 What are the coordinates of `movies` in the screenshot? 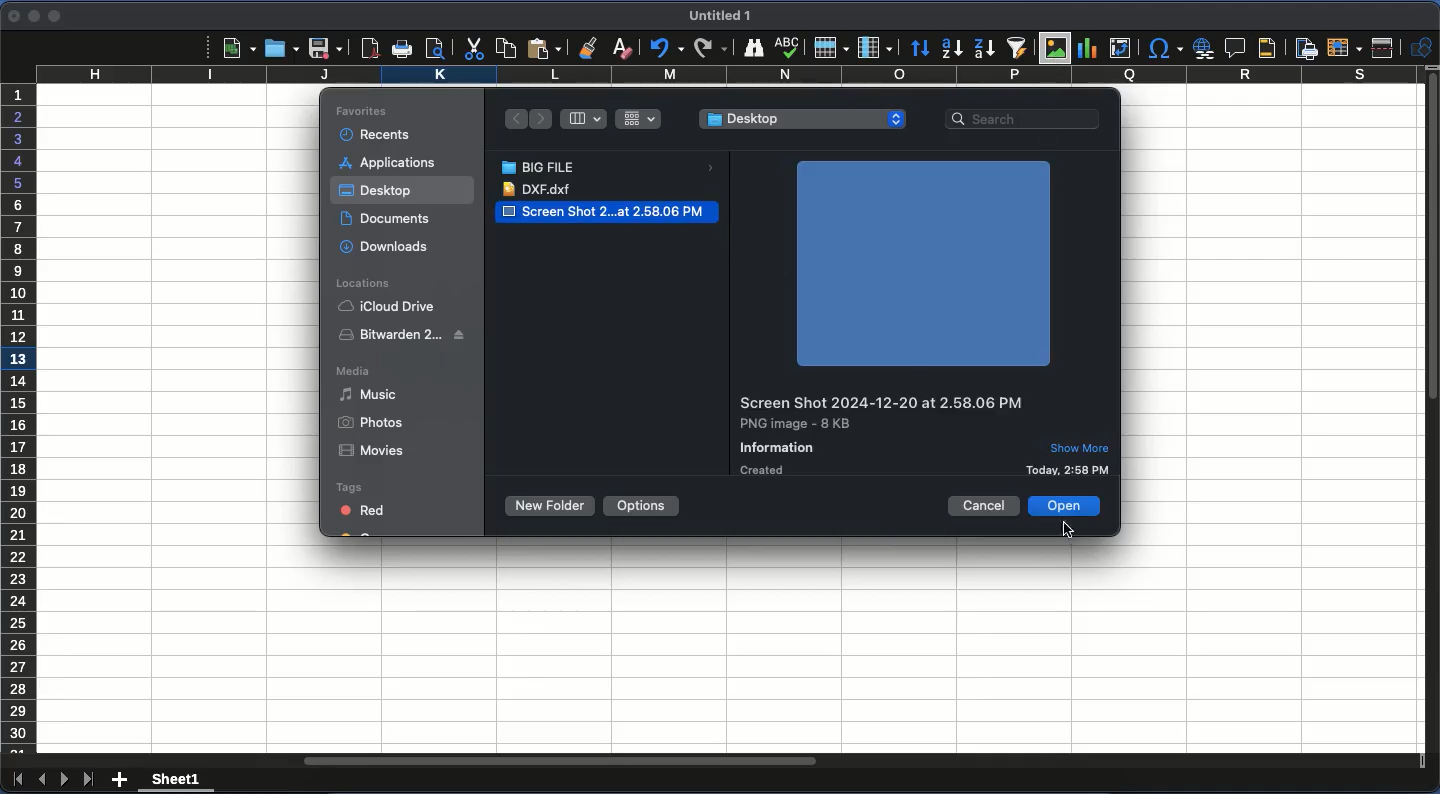 It's located at (373, 449).